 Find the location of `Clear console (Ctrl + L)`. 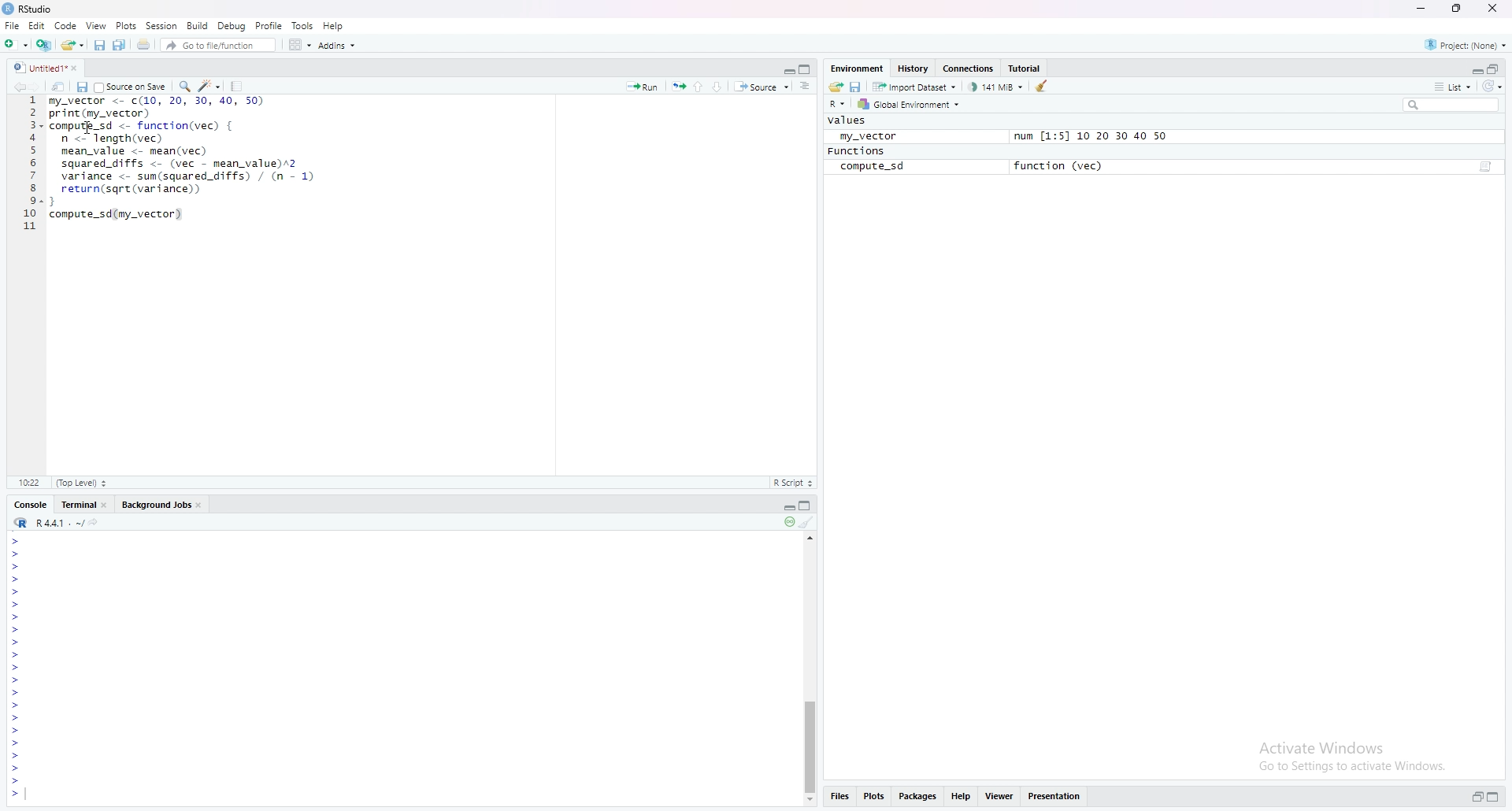

Clear console (Ctrl + L) is located at coordinates (808, 523).